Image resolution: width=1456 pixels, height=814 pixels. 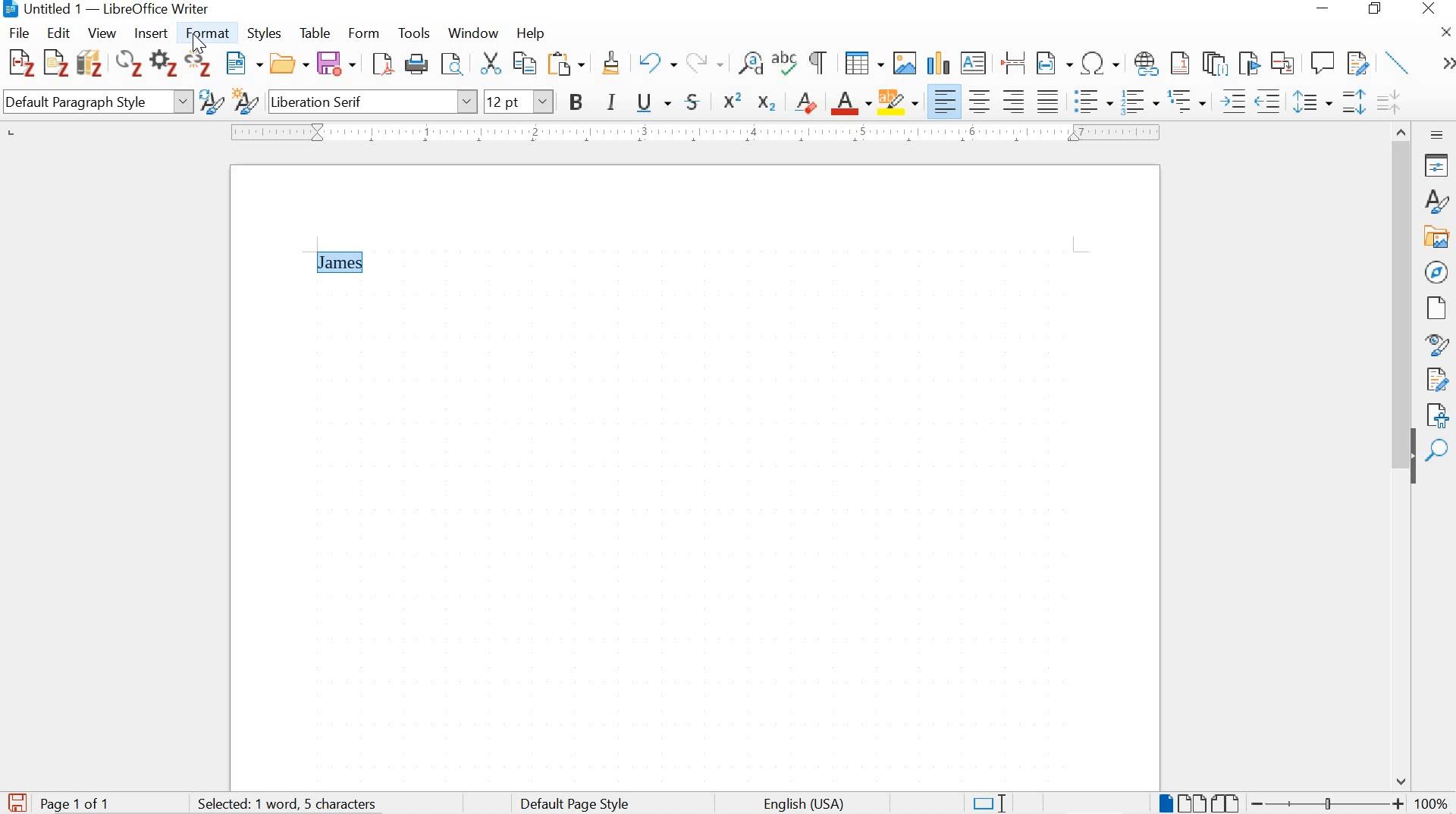 What do you see at coordinates (946, 102) in the screenshot?
I see `align left` at bounding box center [946, 102].